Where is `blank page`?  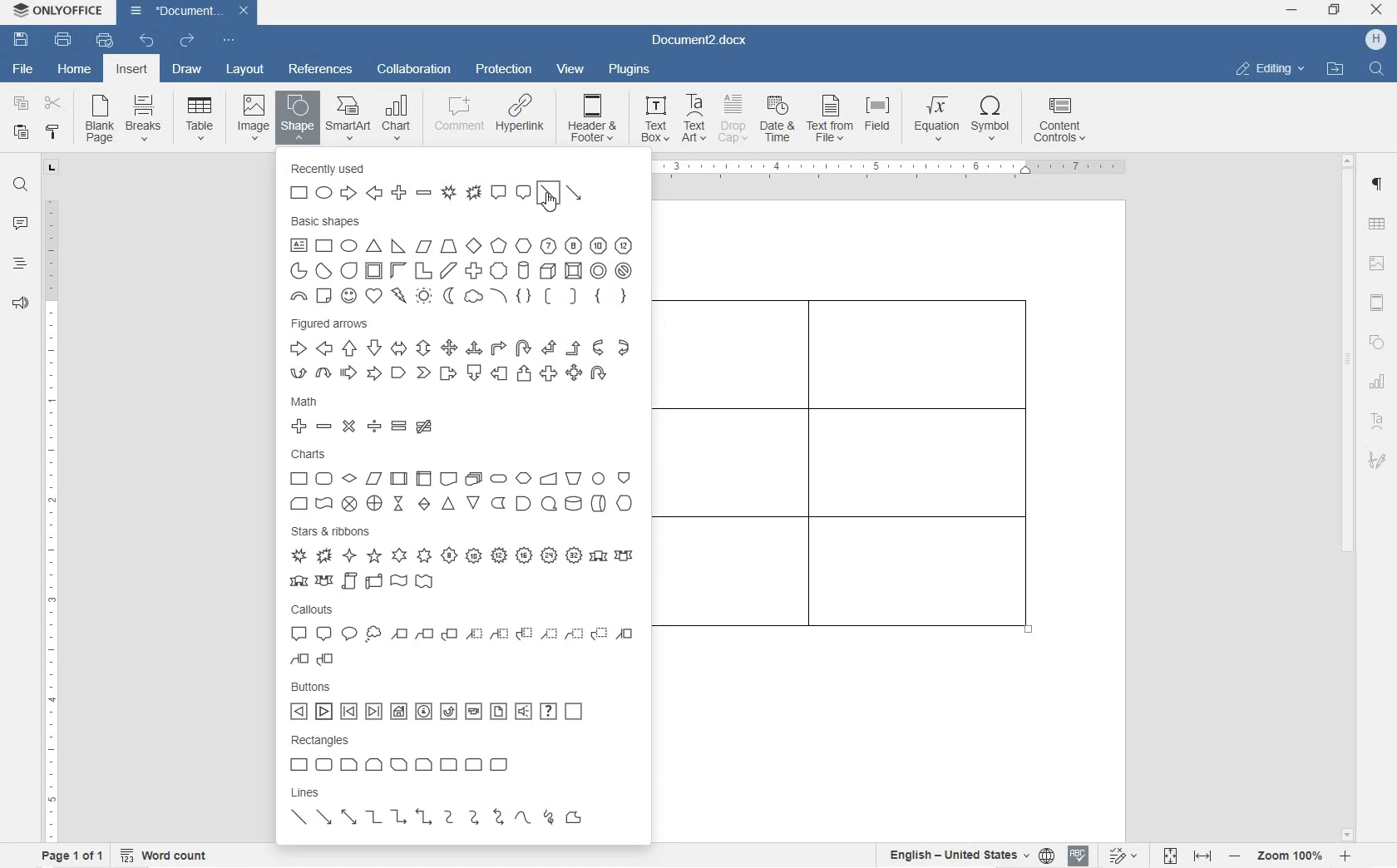
blank page is located at coordinates (97, 121).